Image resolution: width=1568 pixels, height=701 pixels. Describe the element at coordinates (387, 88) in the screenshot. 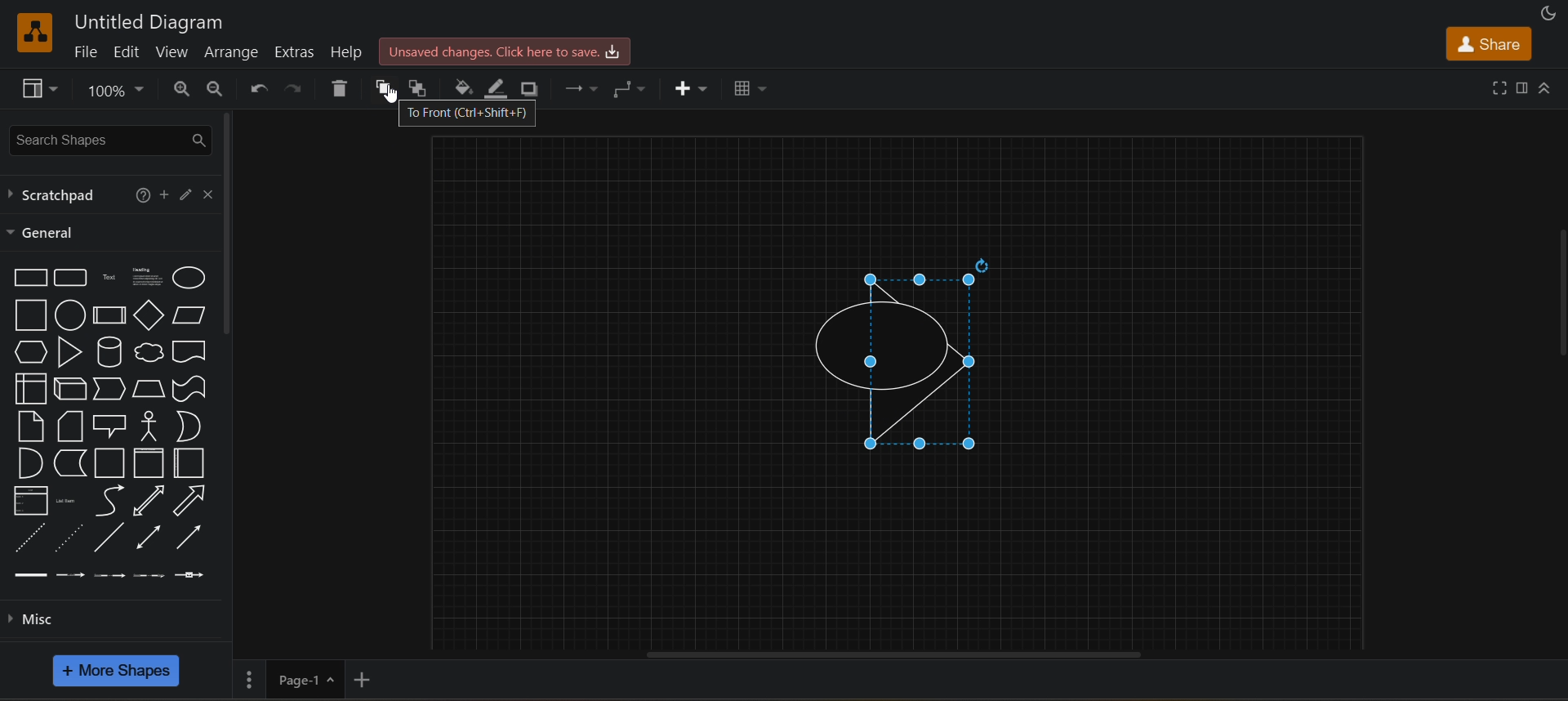

I see `to front` at that location.